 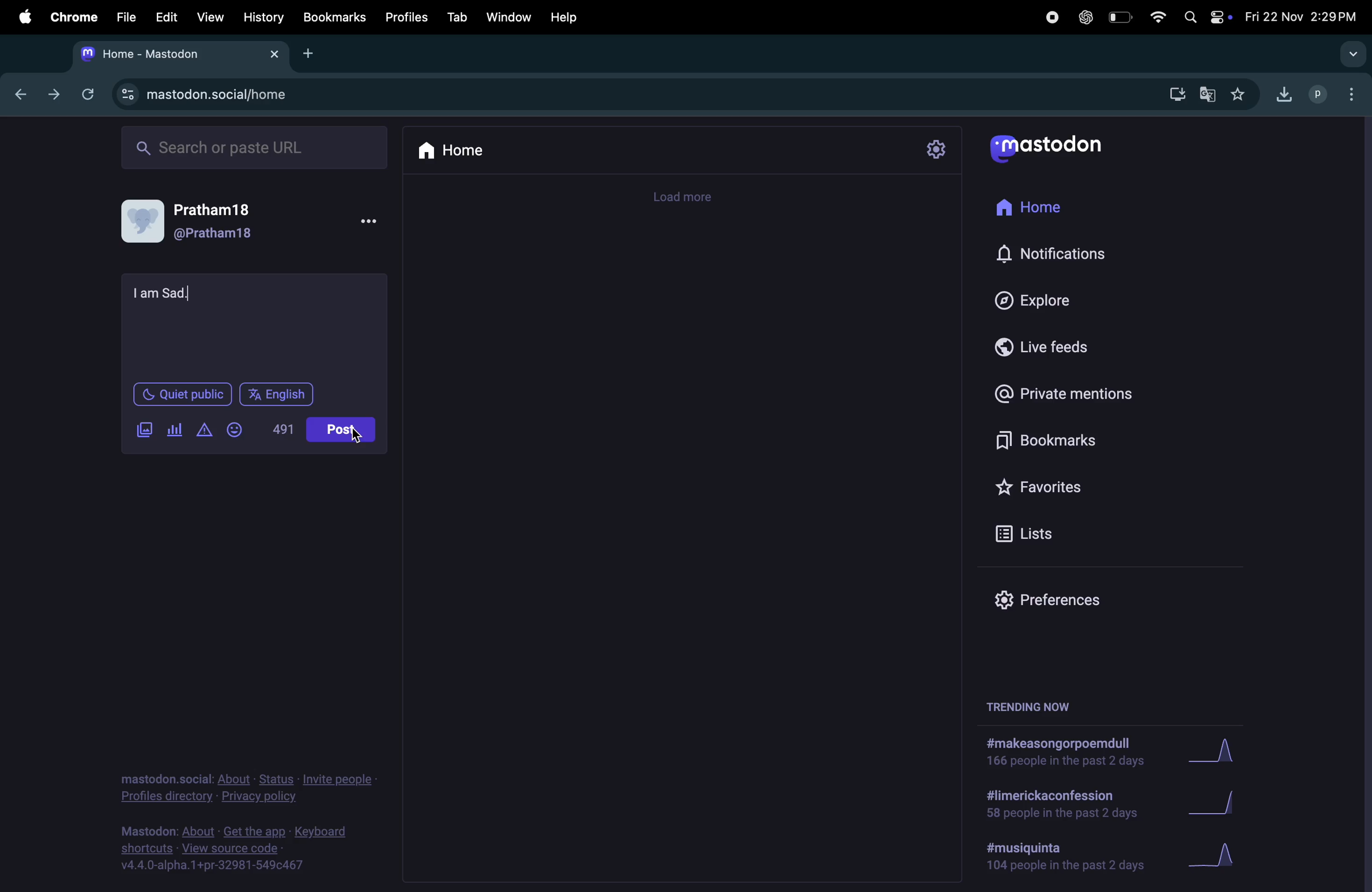 I want to click on trending now, so click(x=1036, y=705).